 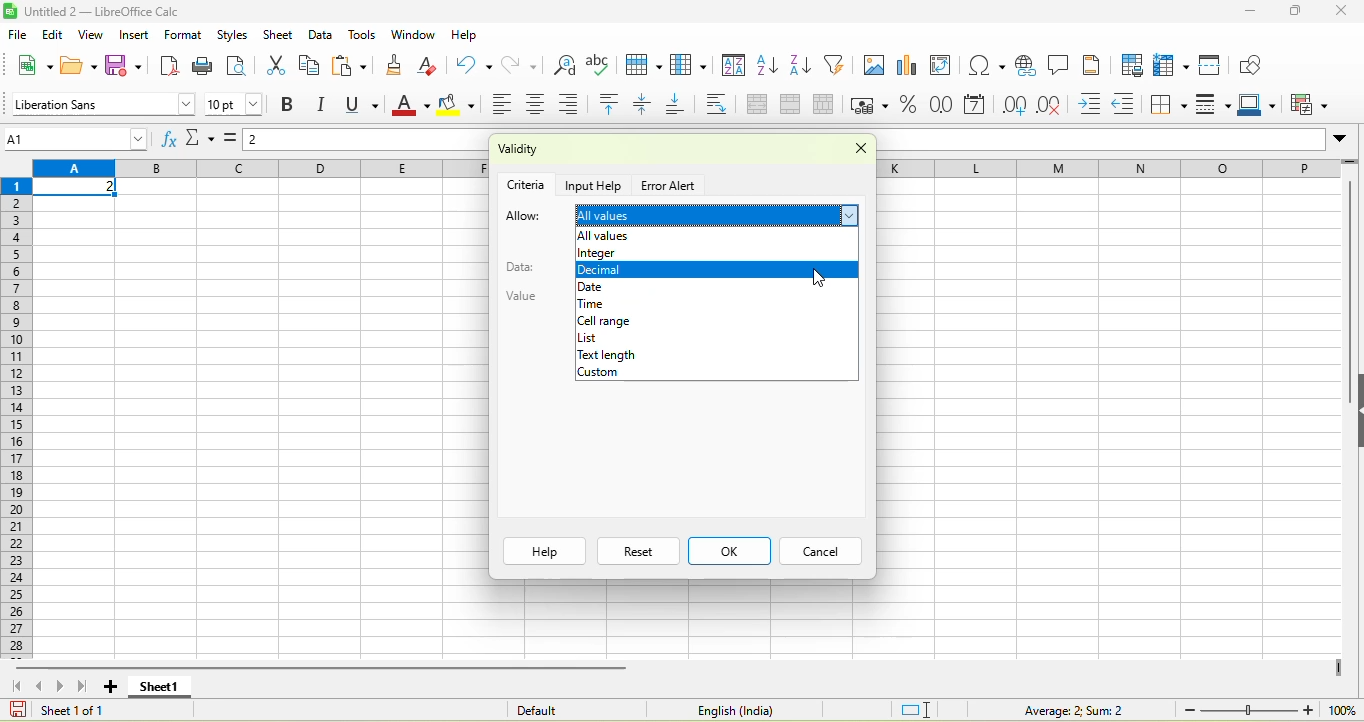 I want to click on print preview, so click(x=239, y=67).